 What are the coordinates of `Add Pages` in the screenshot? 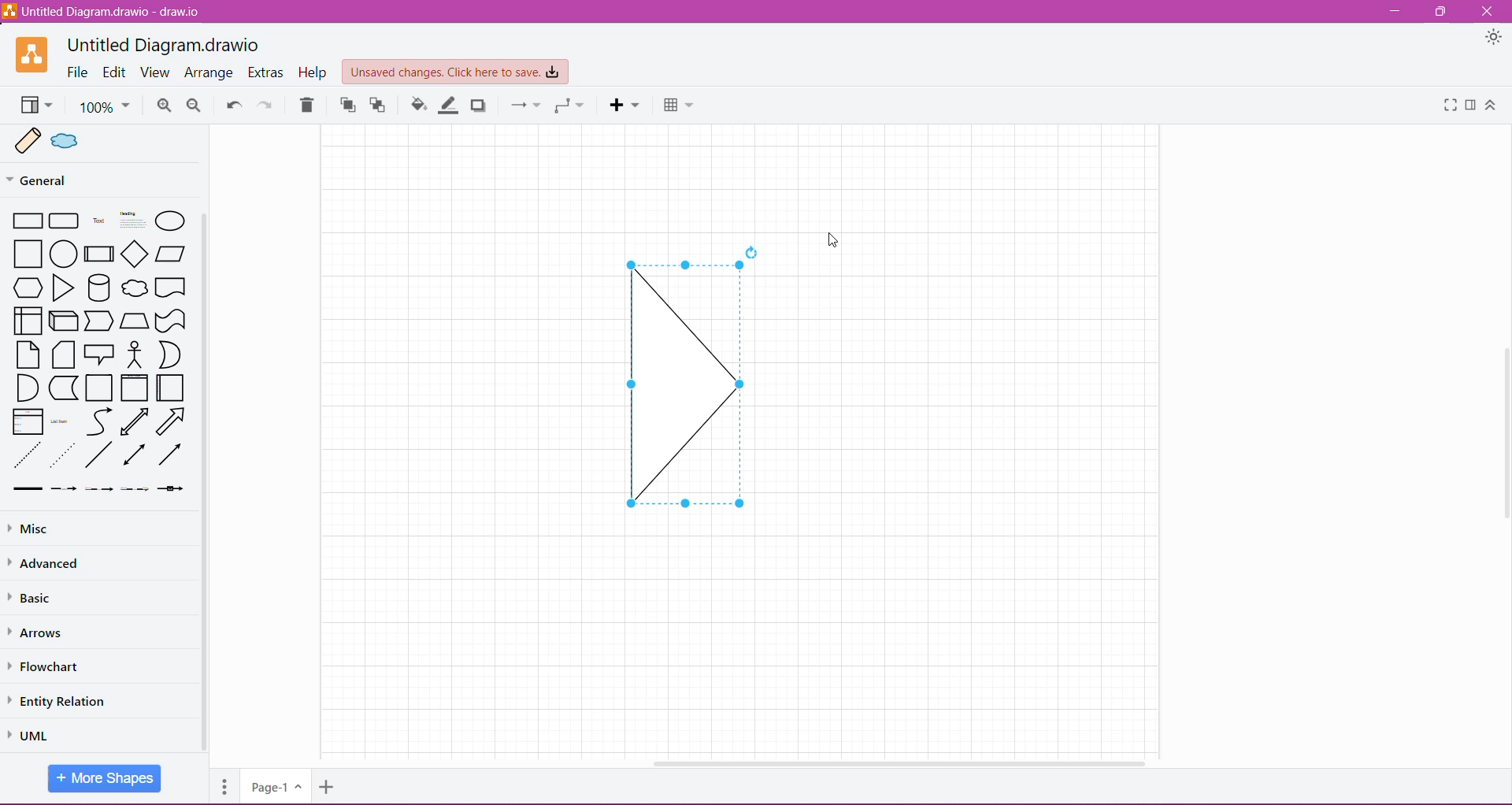 It's located at (327, 787).